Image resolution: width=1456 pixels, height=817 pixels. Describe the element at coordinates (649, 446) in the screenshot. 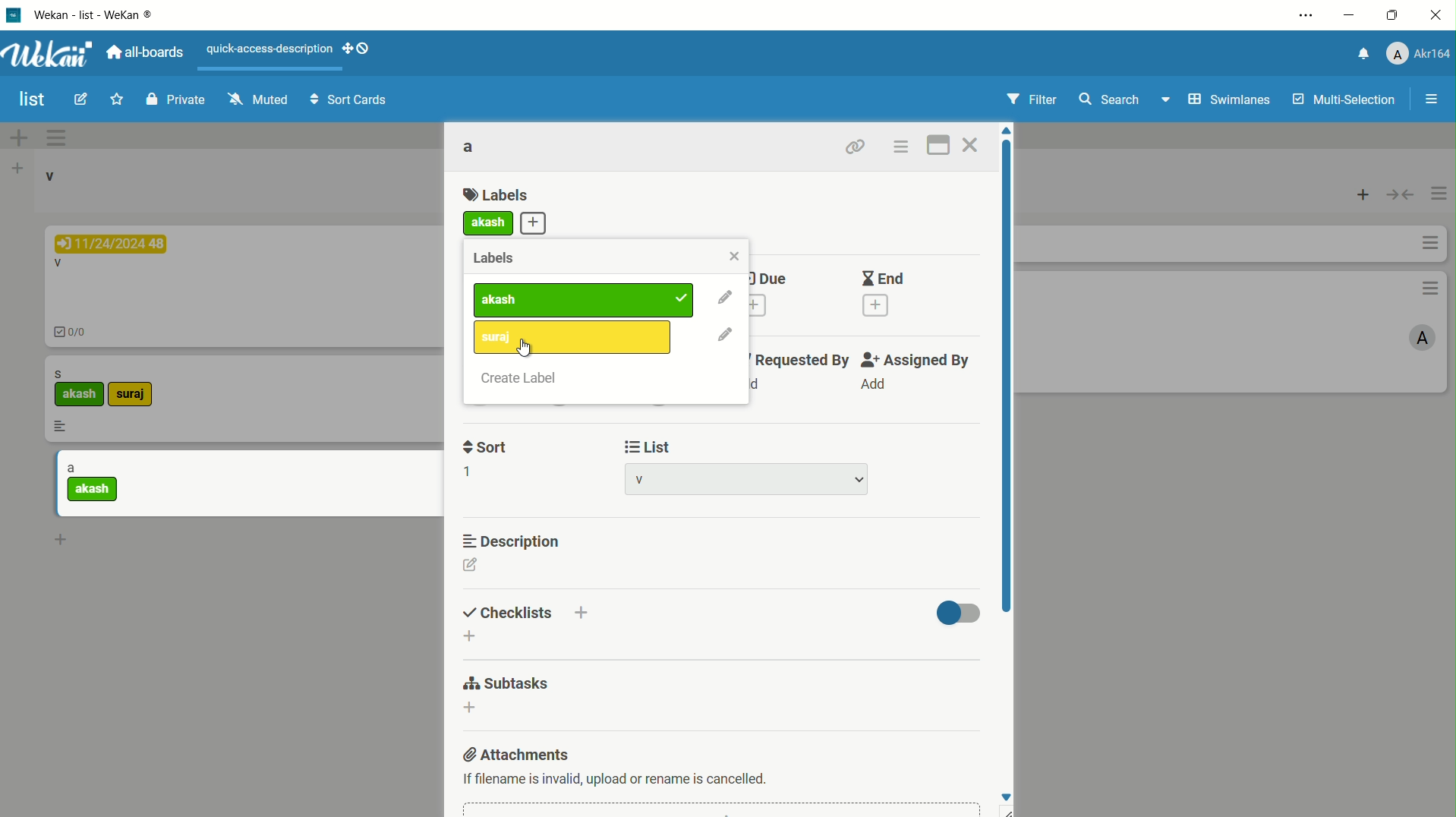

I see `list` at that location.